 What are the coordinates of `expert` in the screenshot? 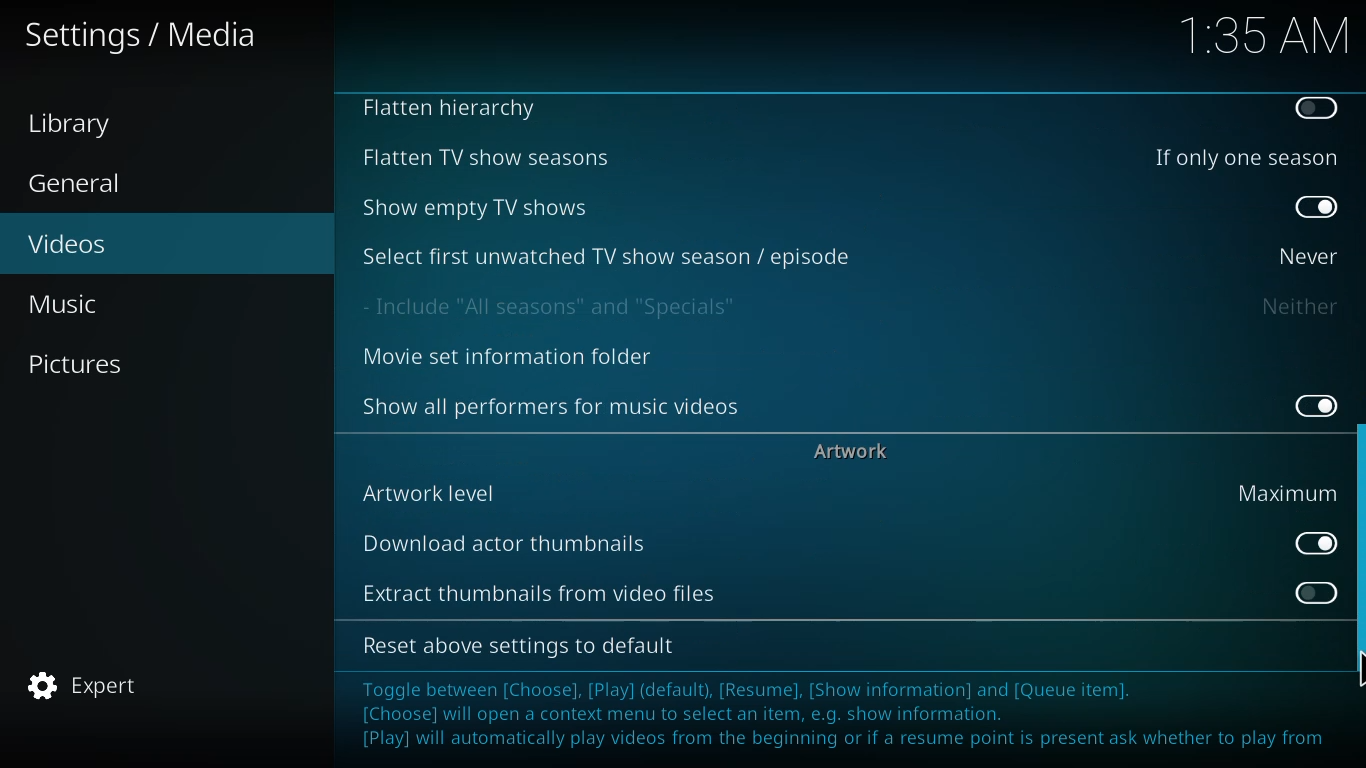 It's located at (85, 686).